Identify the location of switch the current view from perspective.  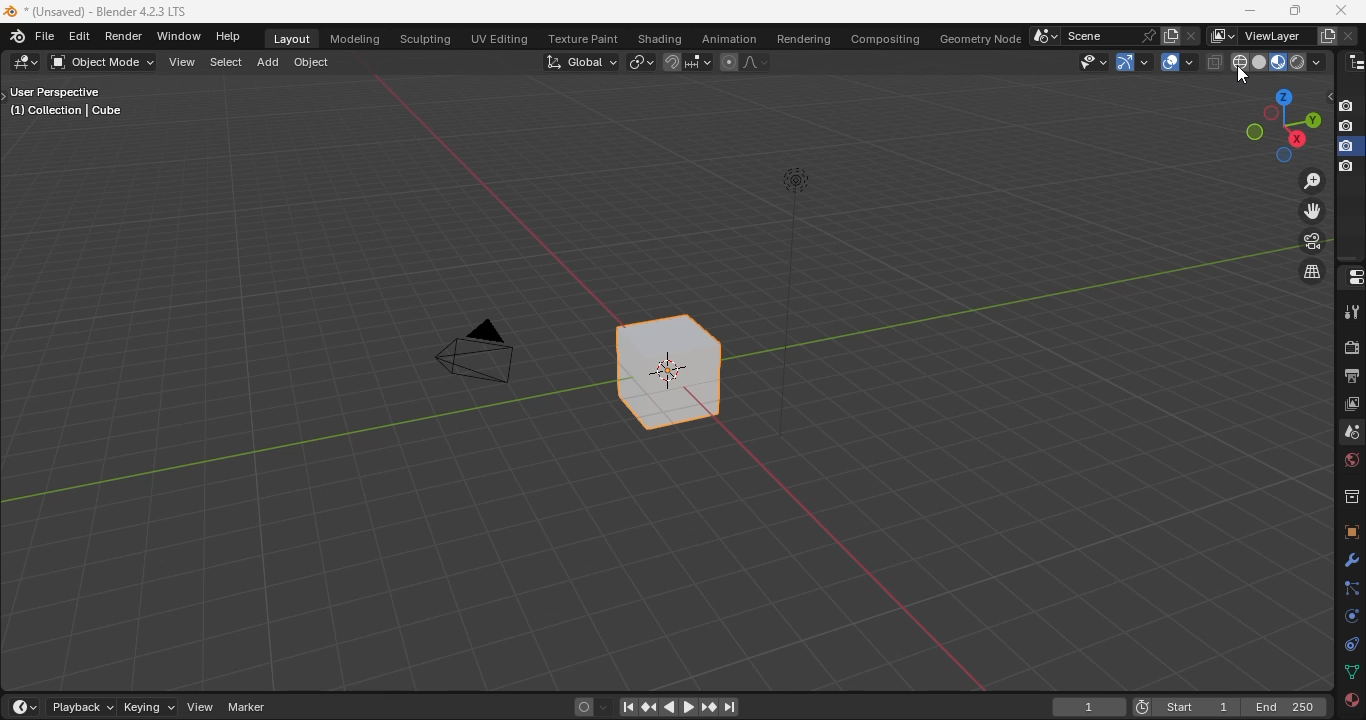
(1312, 272).